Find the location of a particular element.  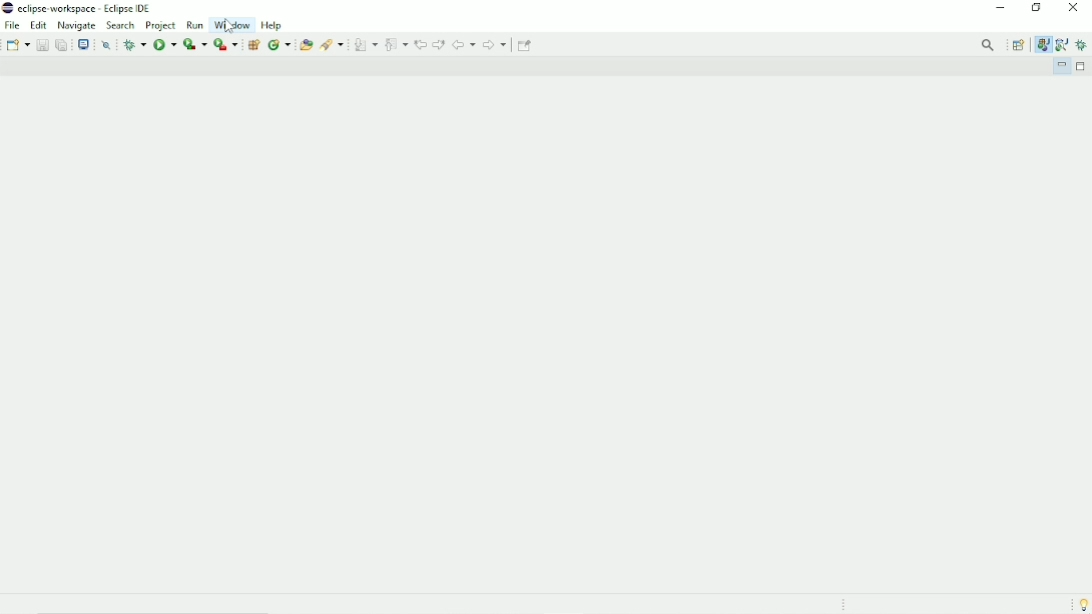

Run is located at coordinates (164, 44).